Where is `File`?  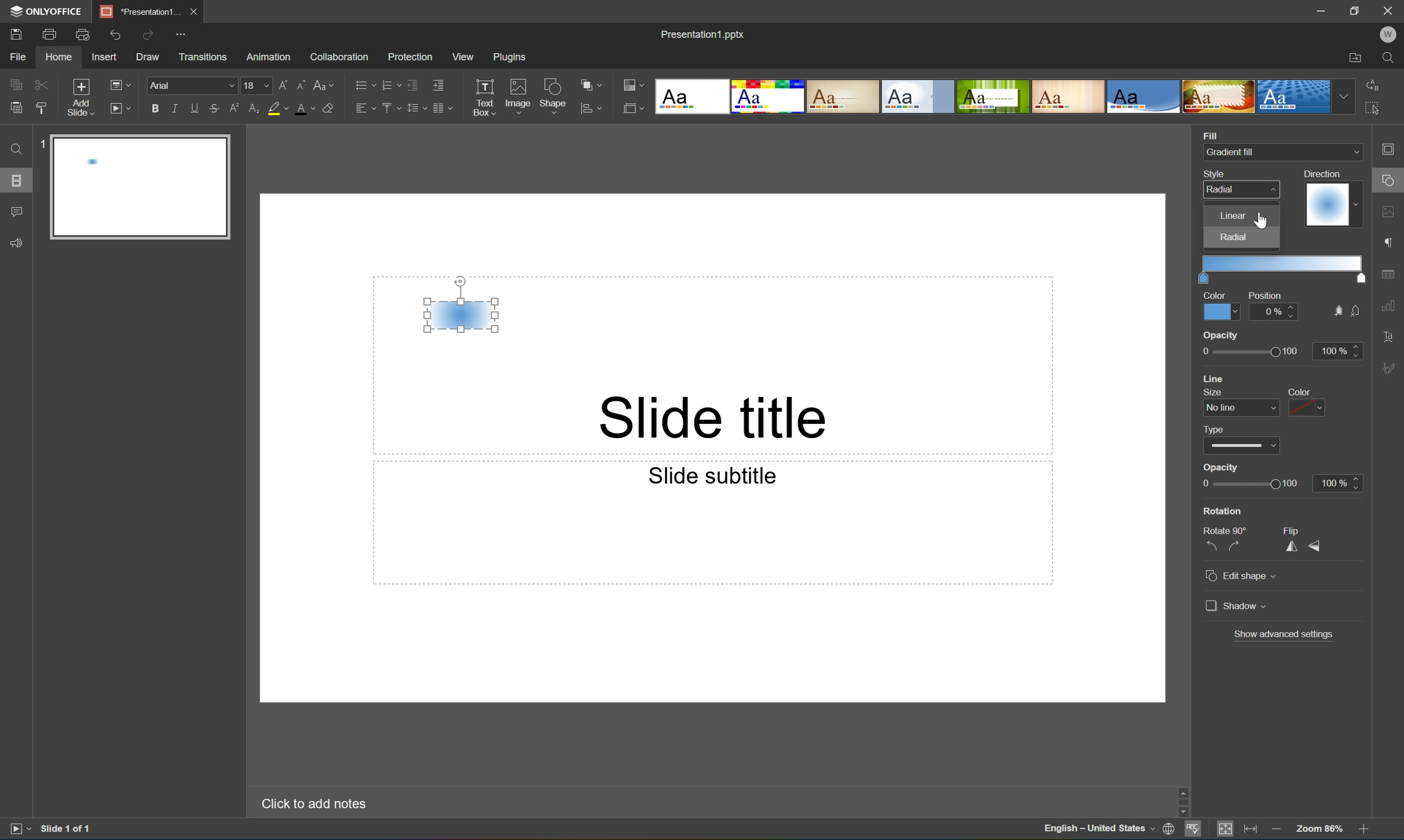 File is located at coordinates (18, 57).